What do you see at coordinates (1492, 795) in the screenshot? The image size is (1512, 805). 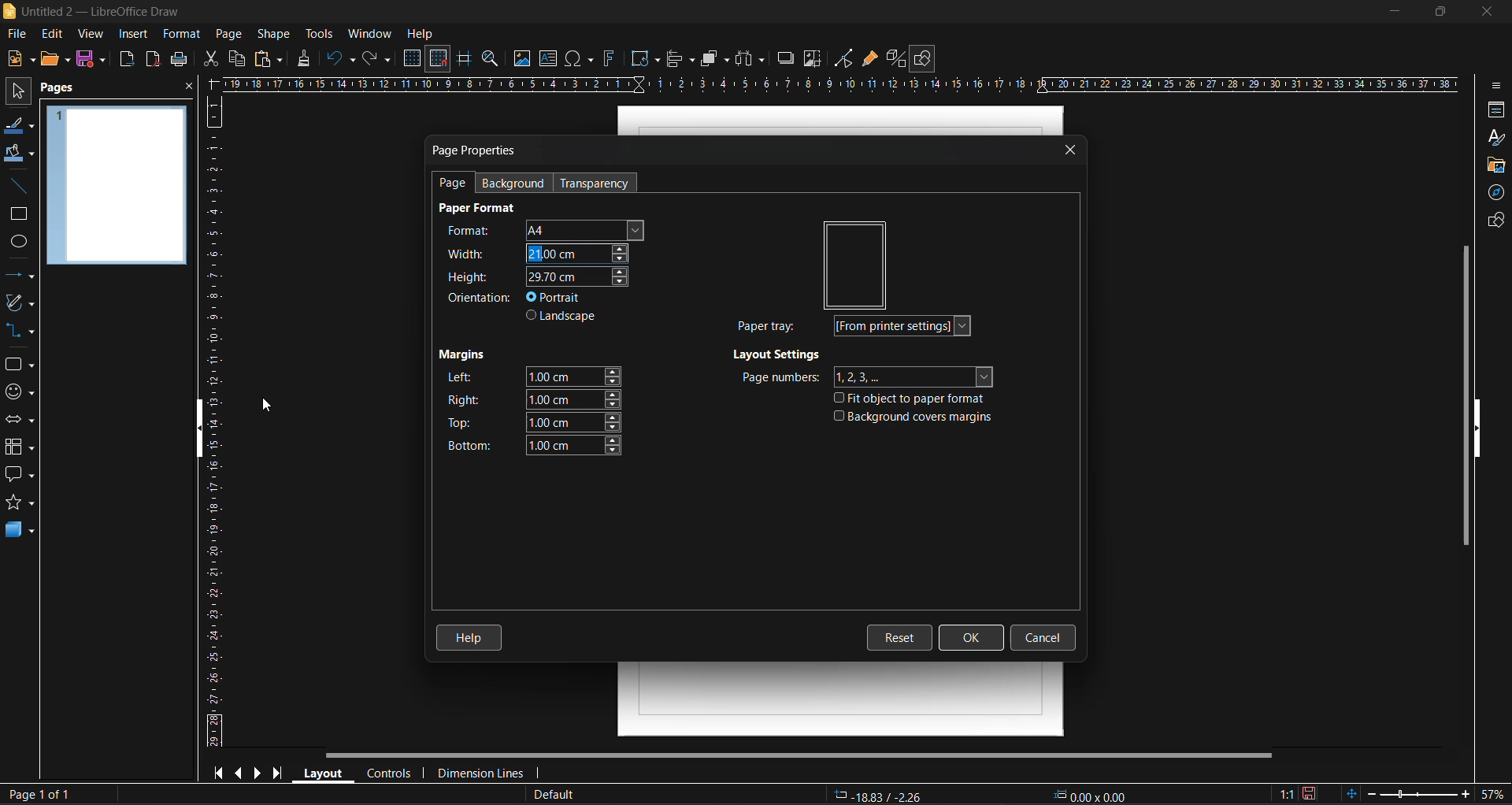 I see `zoom factor` at bounding box center [1492, 795].